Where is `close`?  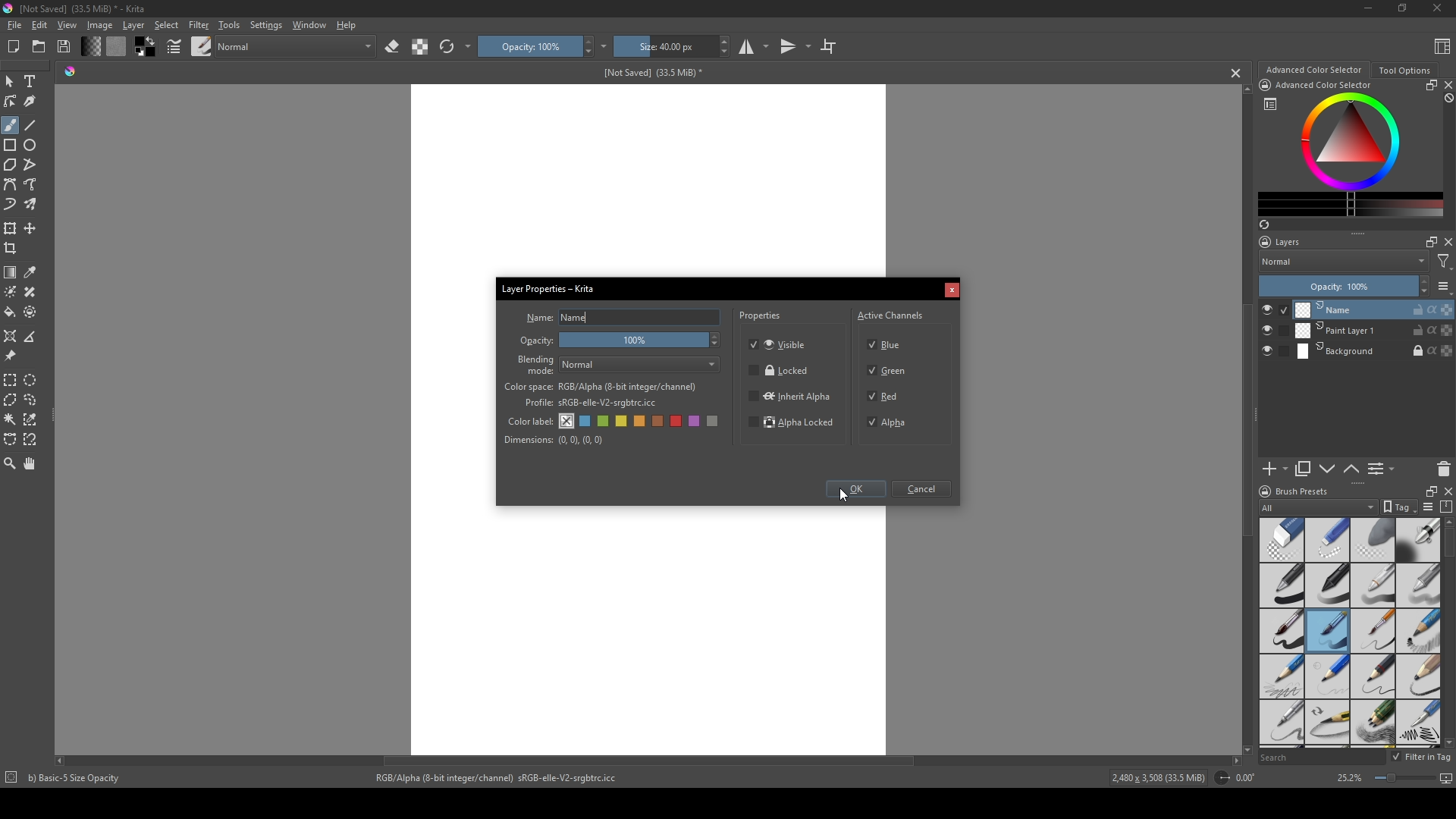 close is located at coordinates (1447, 85).